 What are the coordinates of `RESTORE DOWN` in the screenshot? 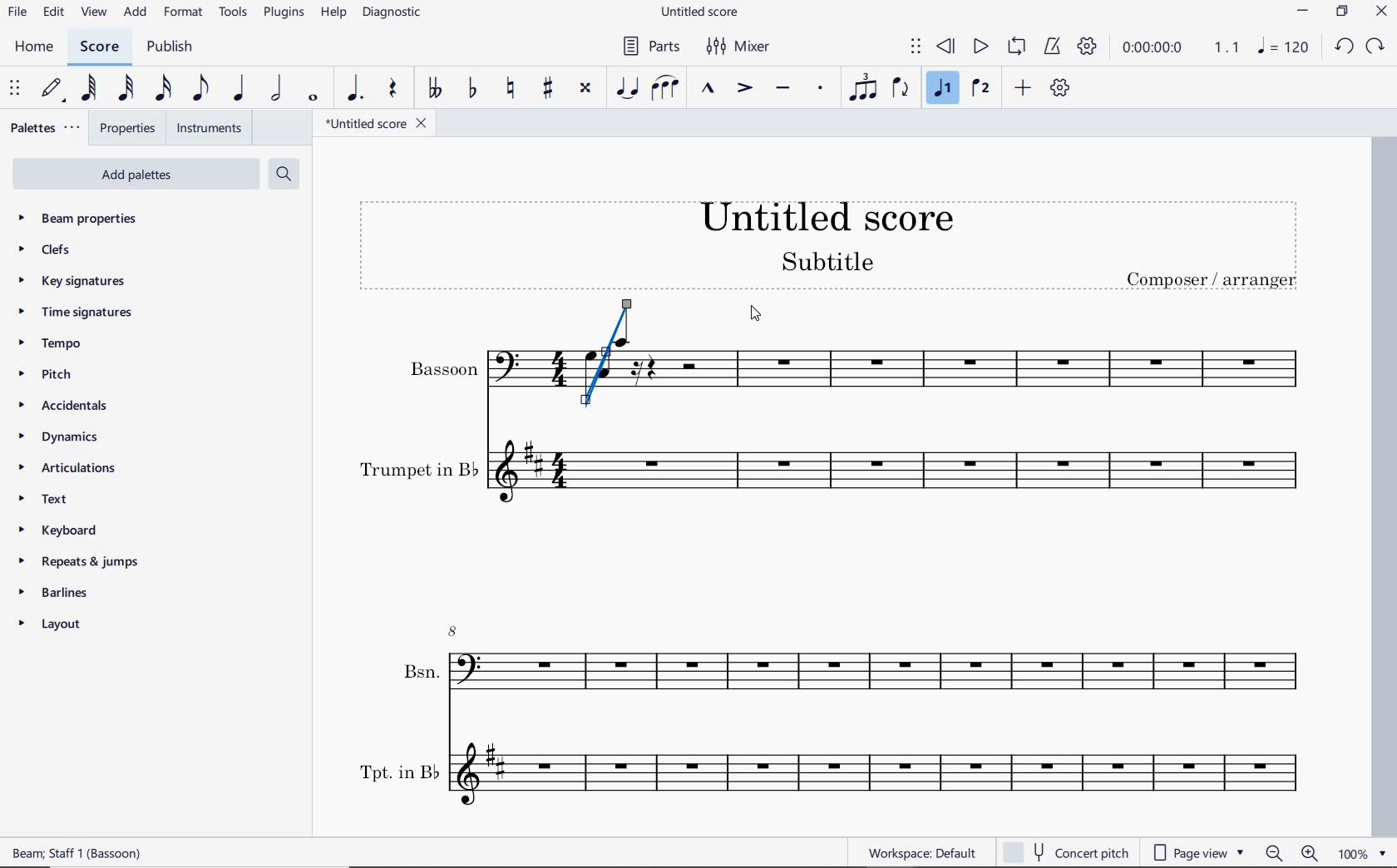 It's located at (1341, 11).